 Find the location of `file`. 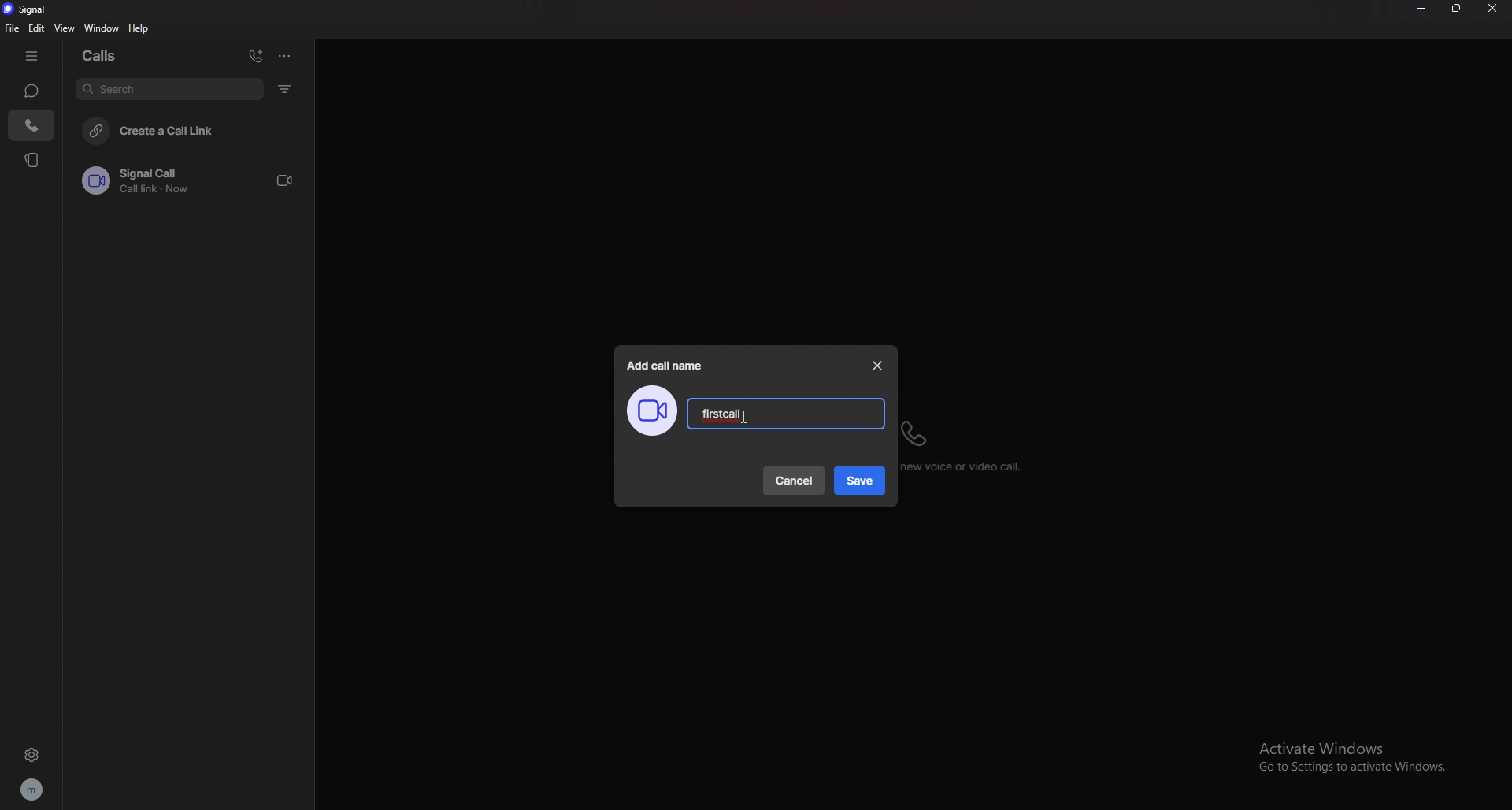

file is located at coordinates (13, 28).